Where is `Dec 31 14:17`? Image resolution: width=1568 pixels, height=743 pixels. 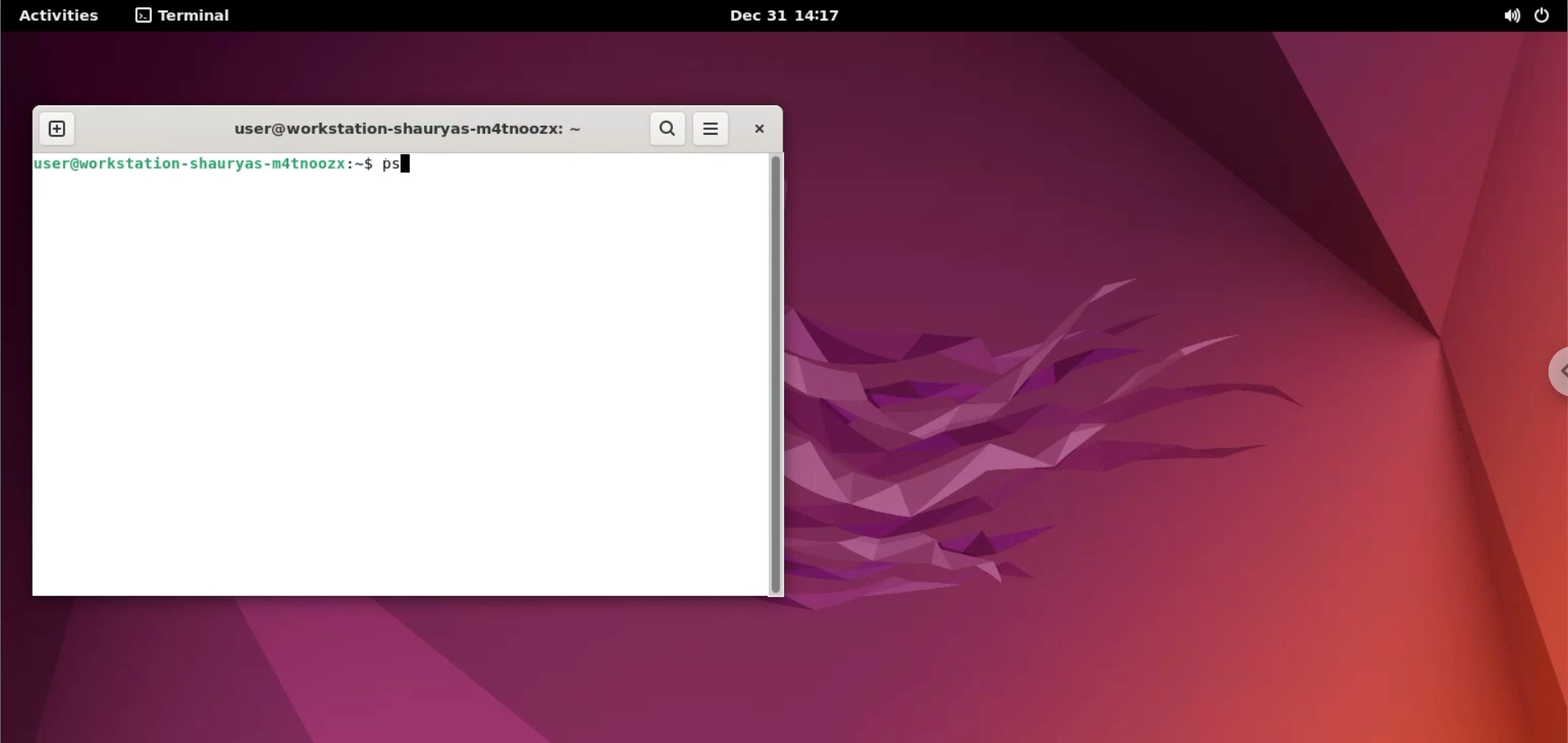
Dec 31 14:17 is located at coordinates (801, 21).